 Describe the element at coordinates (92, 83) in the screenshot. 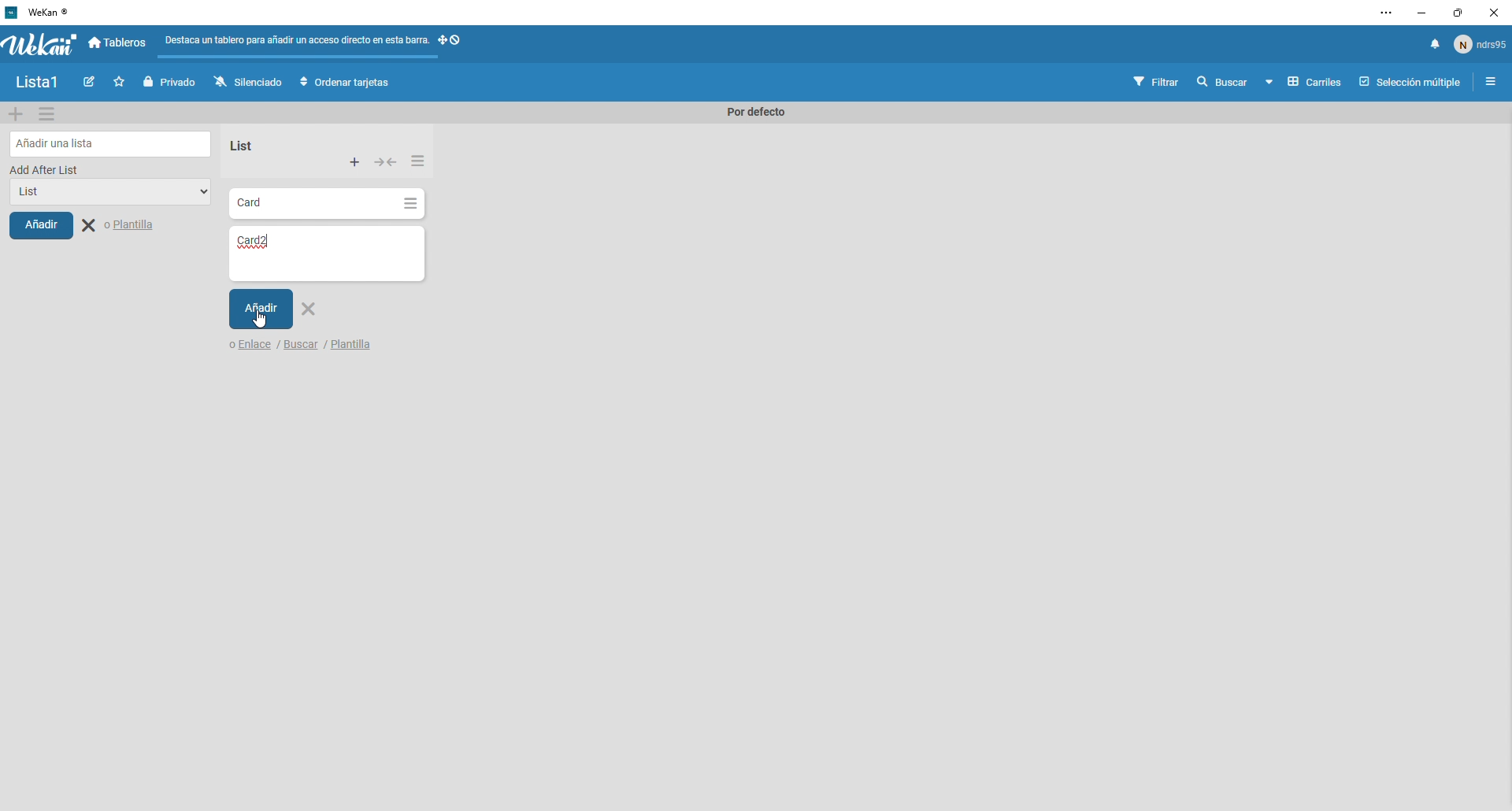

I see `Tag` at that location.